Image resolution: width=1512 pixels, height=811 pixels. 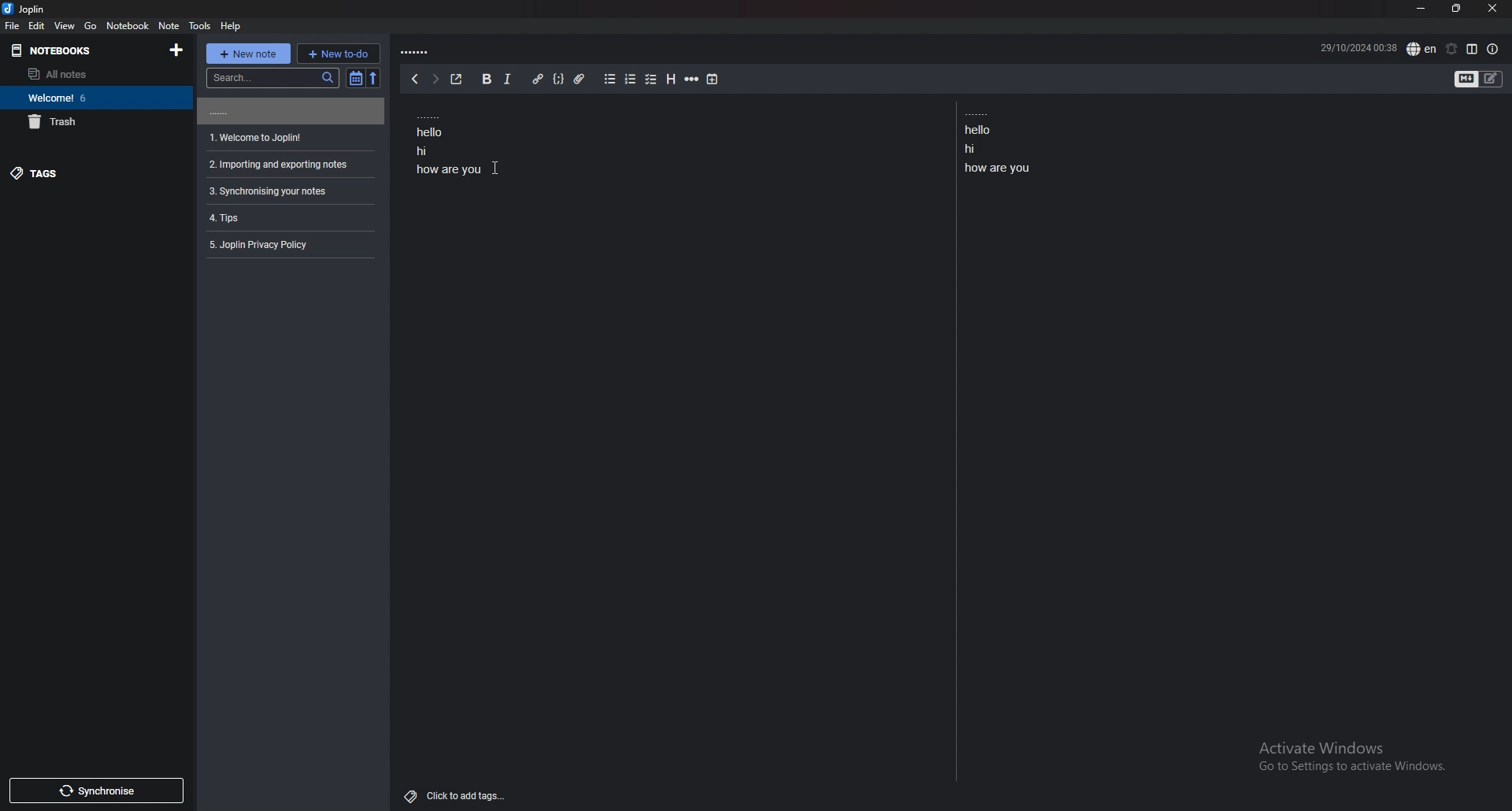 I want to click on bulleted list, so click(x=610, y=80).